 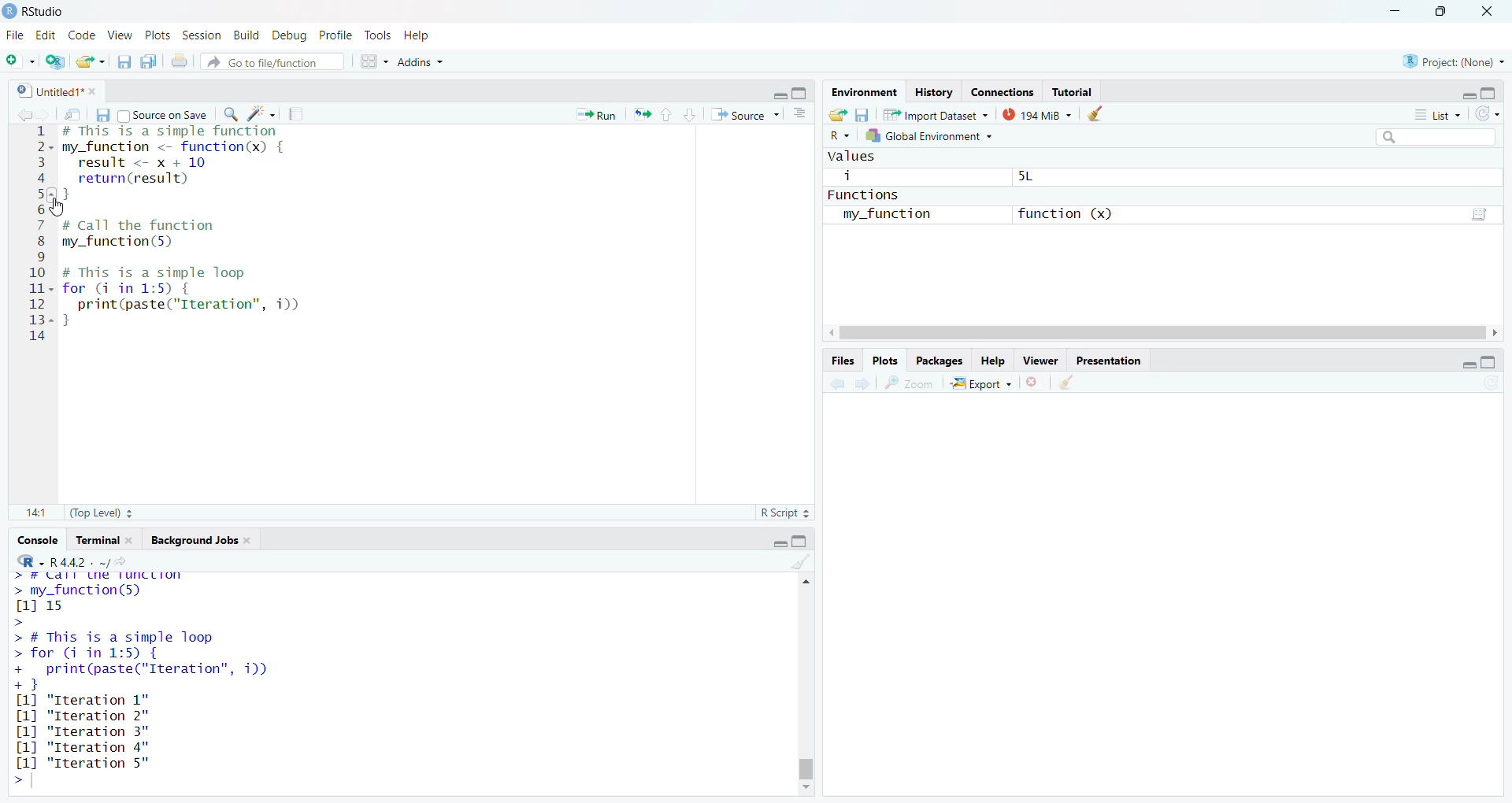 What do you see at coordinates (599, 114) in the screenshot?
I see `run the current line or selection` at bounding box center [599, 114].